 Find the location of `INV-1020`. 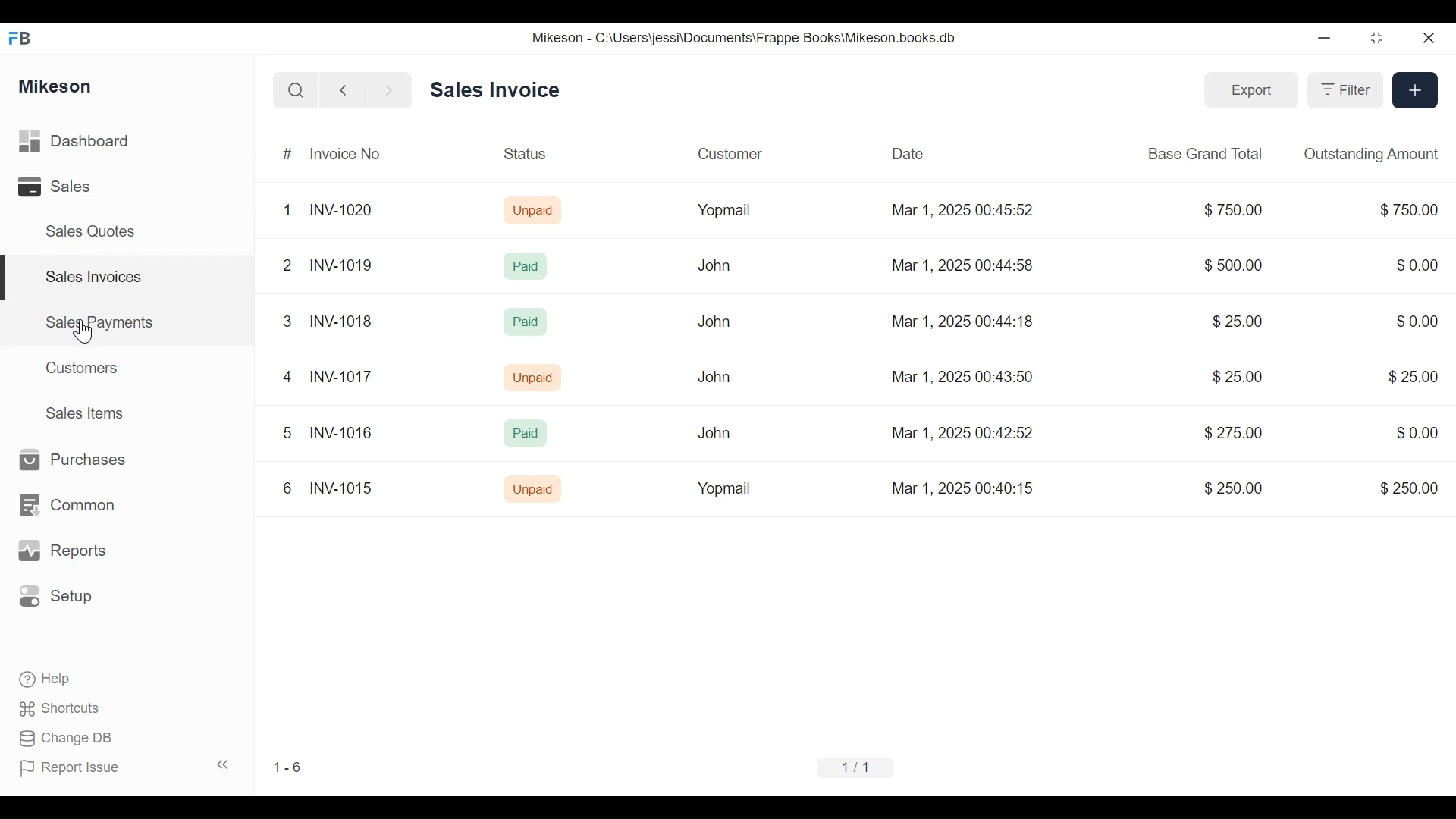

INV-1020 is located at coordinates (344, 211).